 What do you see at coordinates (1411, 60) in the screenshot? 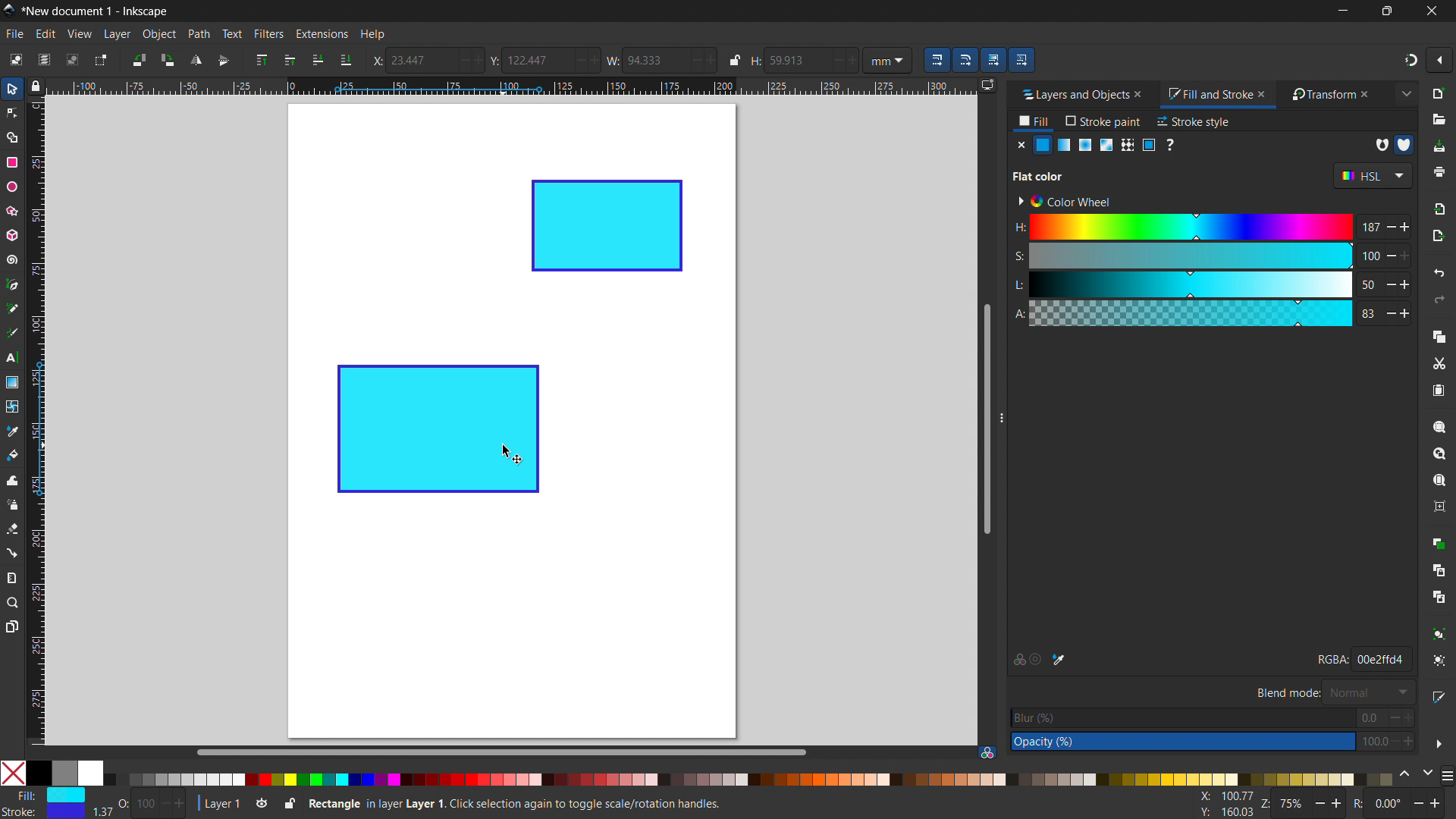
I see `snapping` at bounding box center [1411, 60].